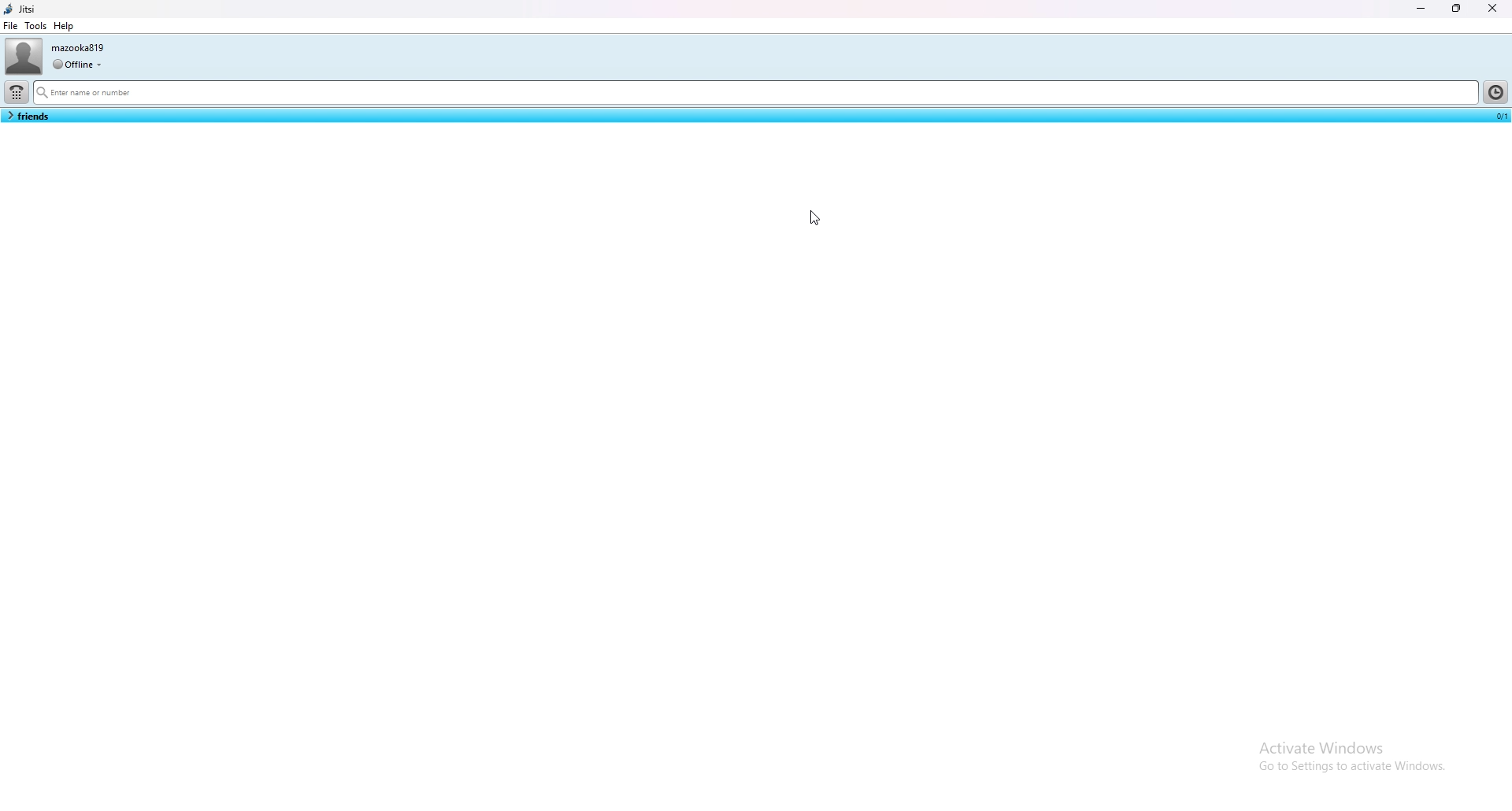  What do you see at coordinates (1495, 91) in the screenshot?
I see `history` at bounding box center [1495, 91].